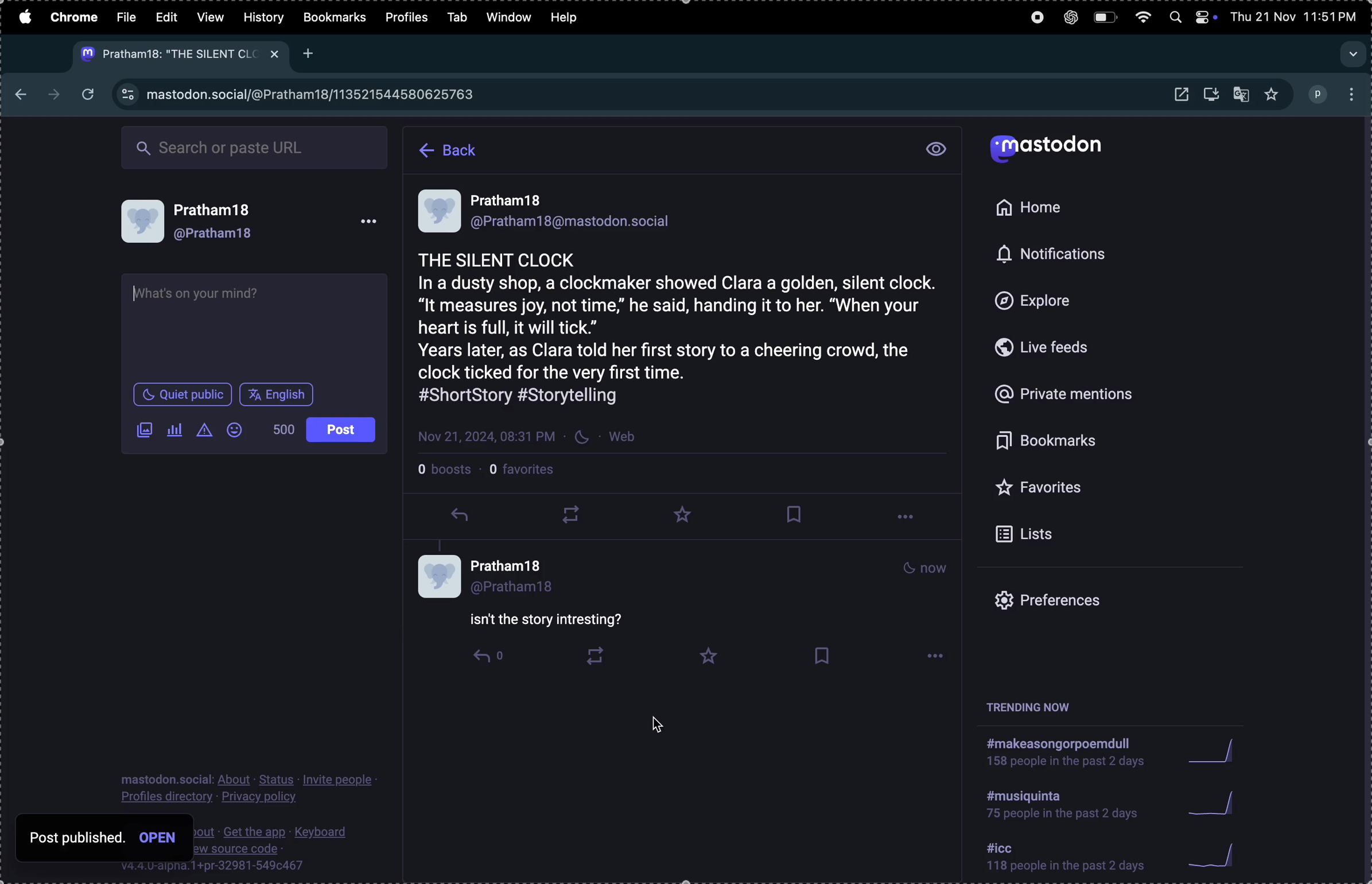  I want to click on bookmark, so click(795, 514).